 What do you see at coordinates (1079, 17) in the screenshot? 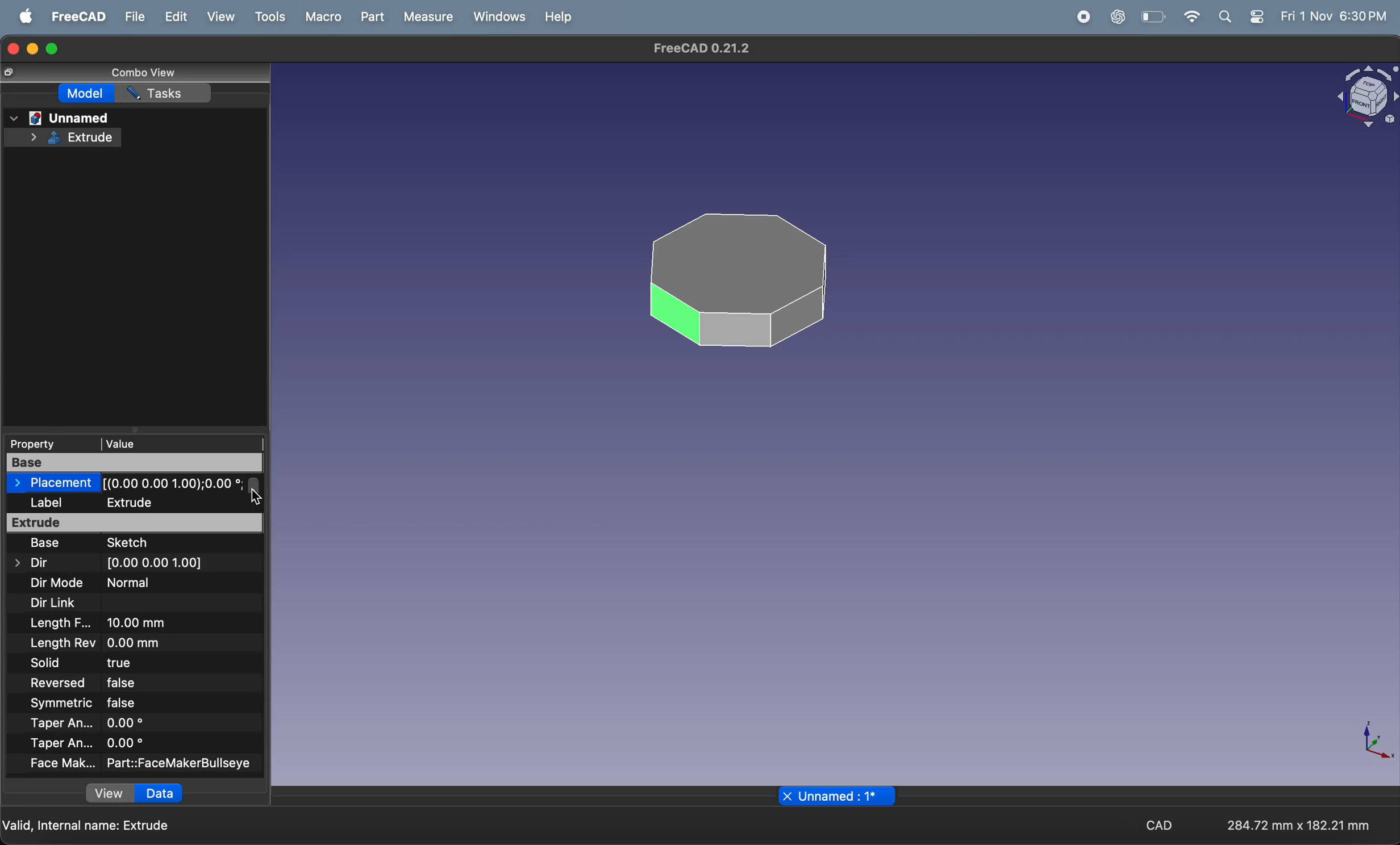
I see `record` at bounding box center [1079, 17].